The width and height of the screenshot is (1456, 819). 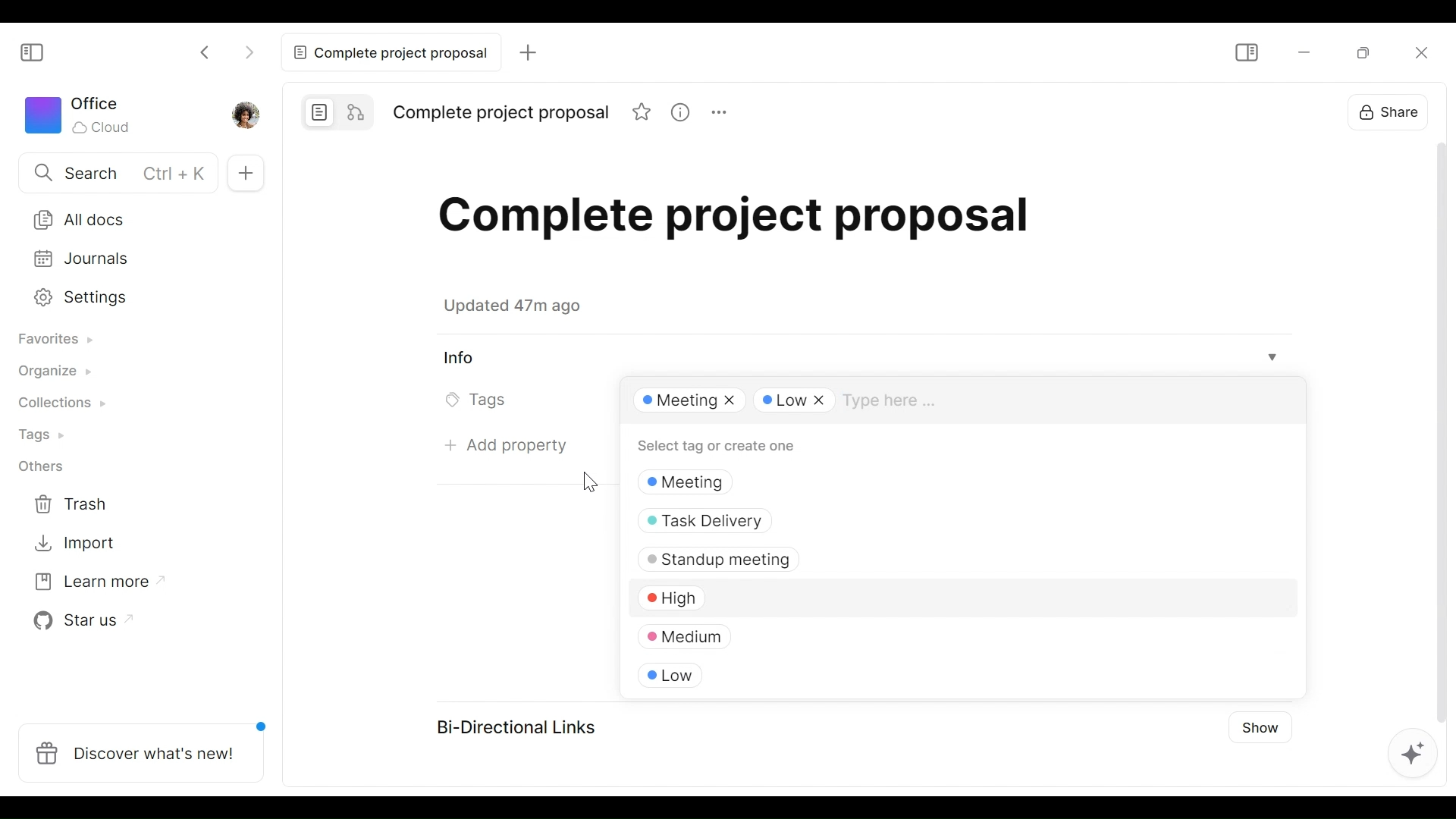 I want to click on Add, so click(x=525, y=52).